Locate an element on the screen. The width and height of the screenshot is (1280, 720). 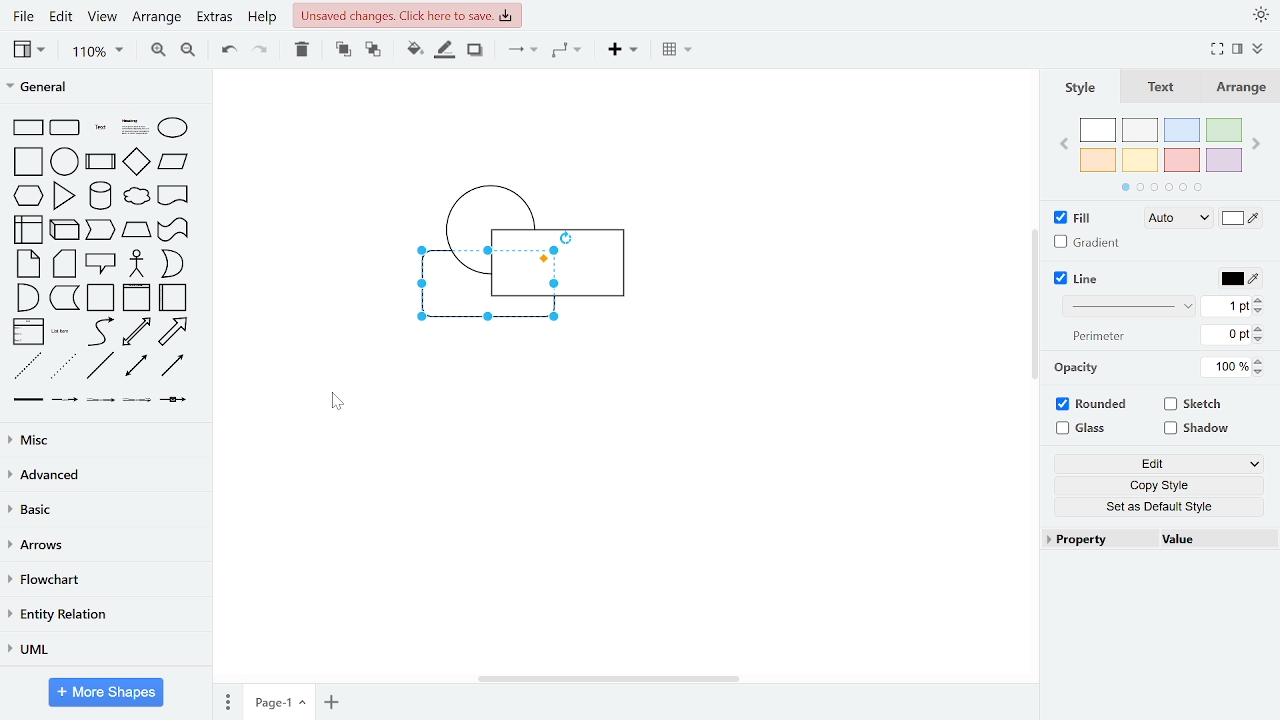
general is located at coordinates (104, 87).